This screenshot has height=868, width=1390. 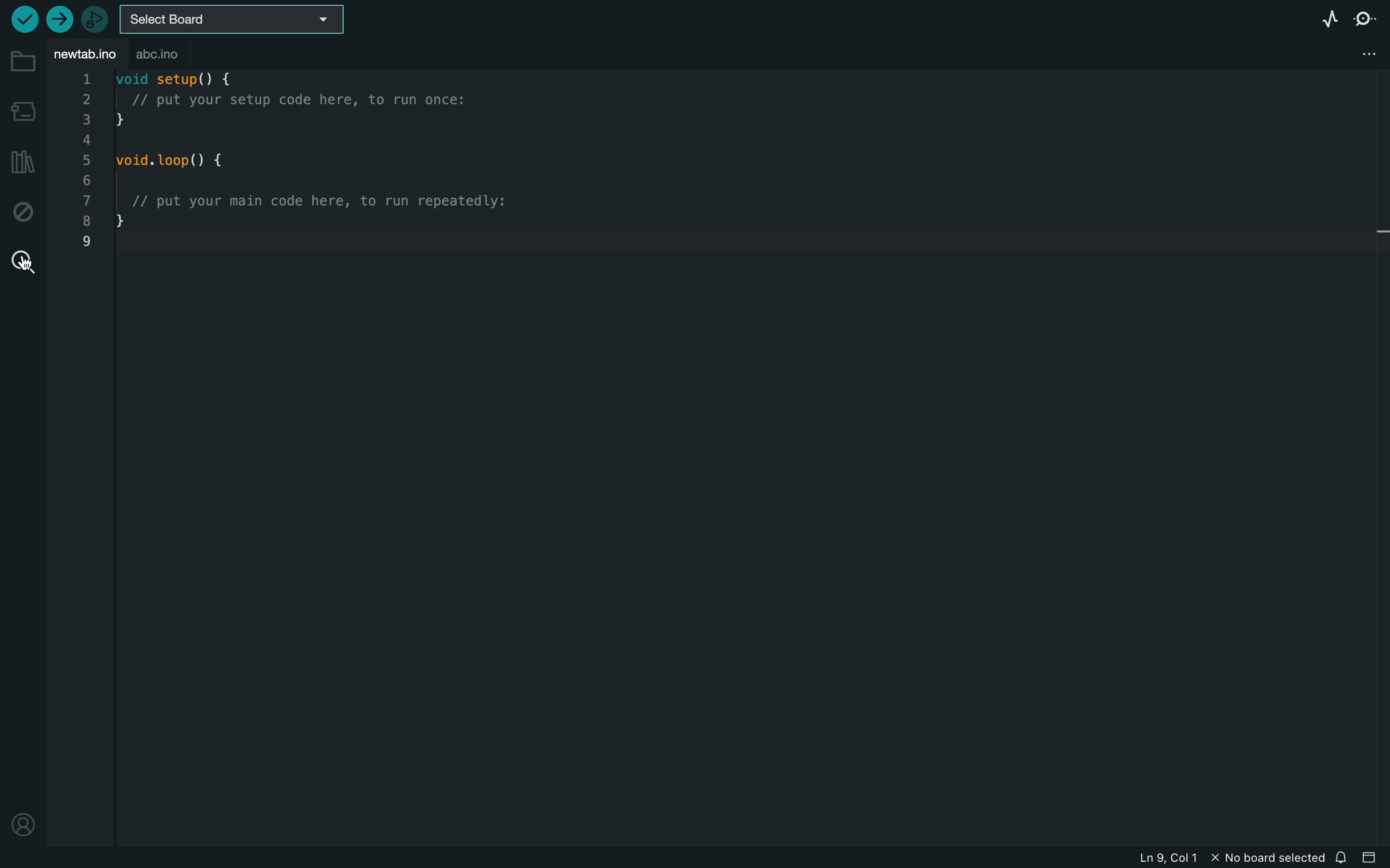 I want to click on library manager, so click(x=22, y=162).